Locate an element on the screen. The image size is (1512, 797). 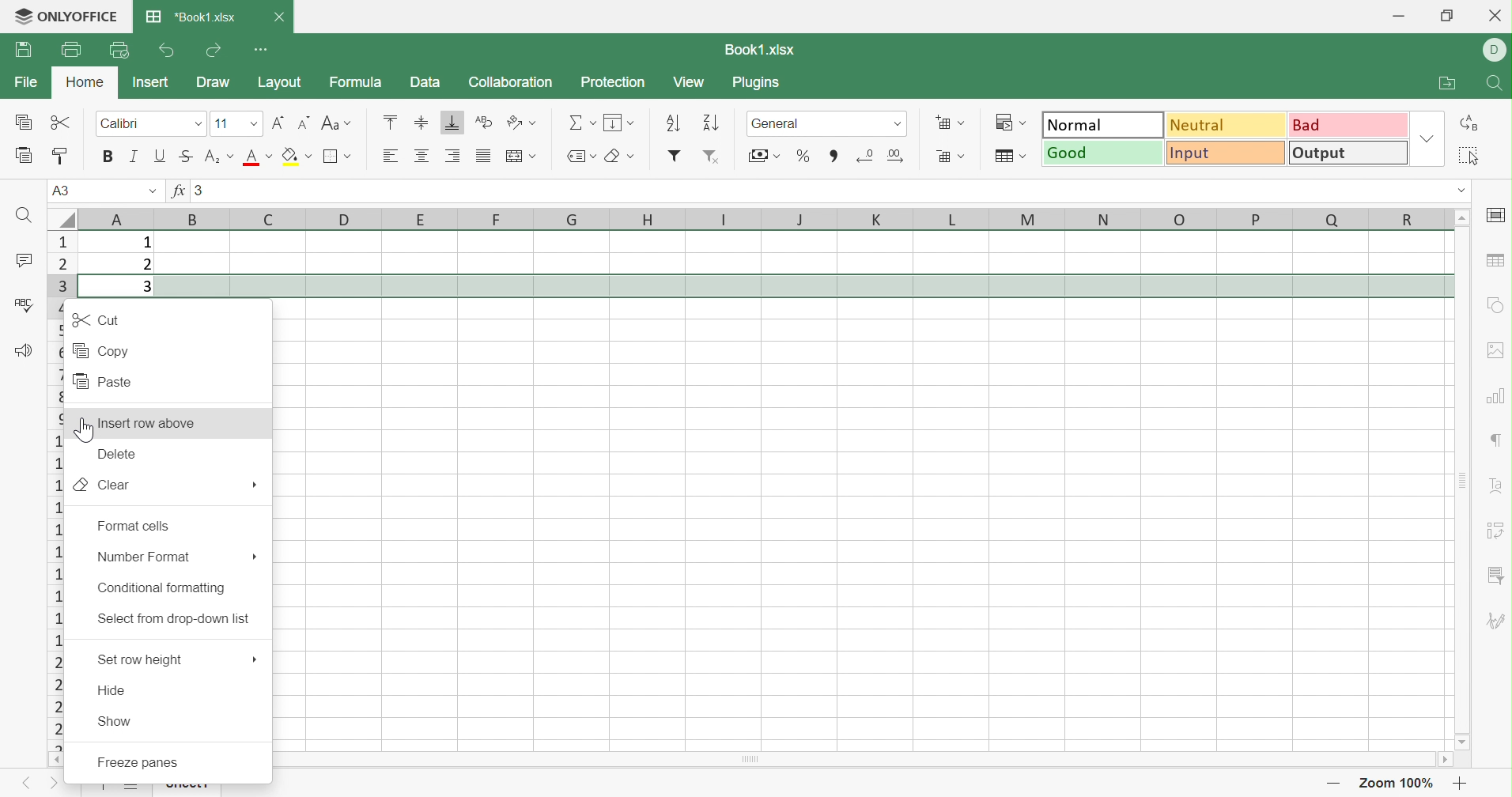
Draw is located at coordinates (214, 83).